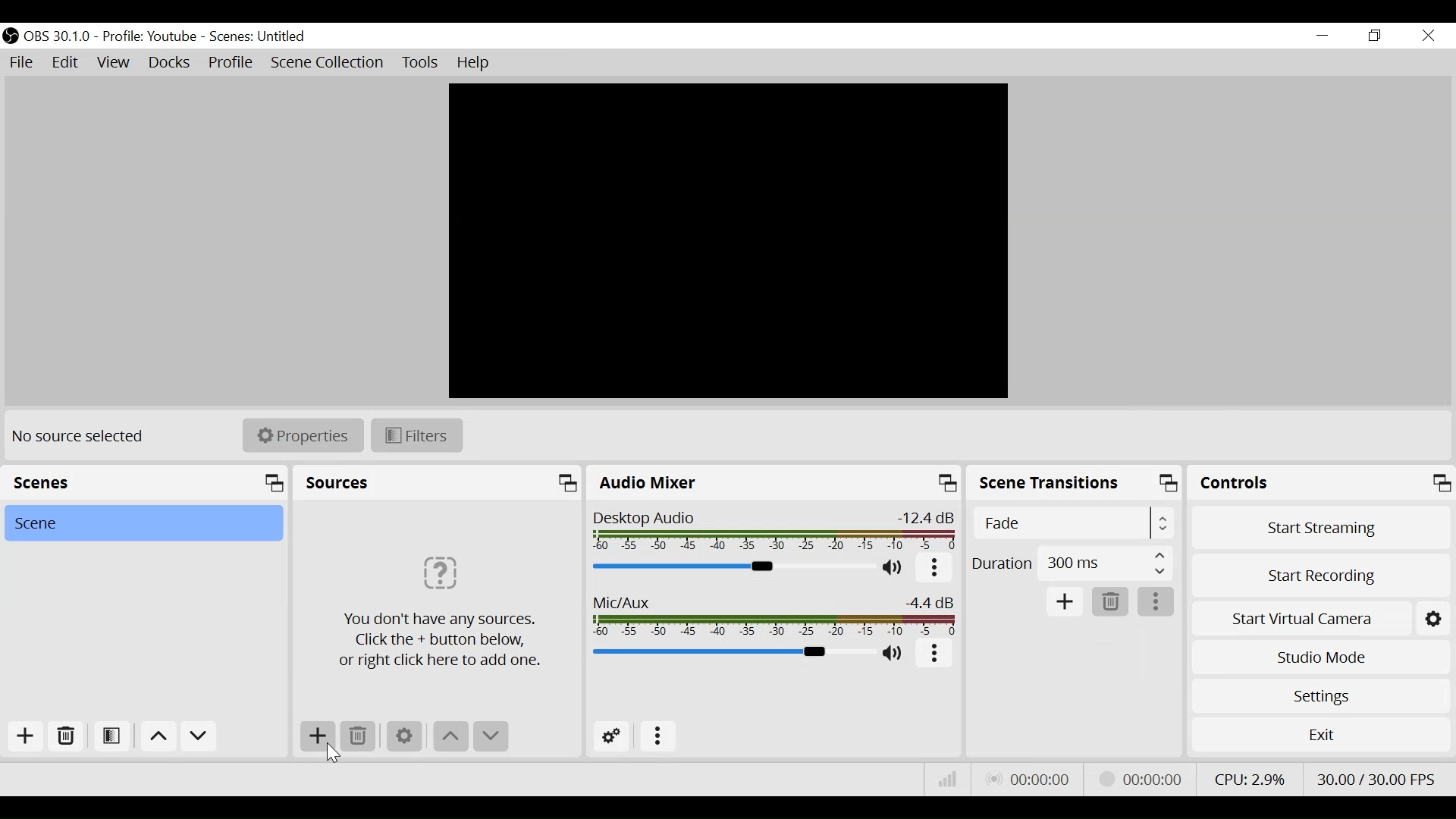 This screenshot has width=1456, height=819. Describe the element at coordinates (1427, 37) in the screenshot. I see `Close` at that location.